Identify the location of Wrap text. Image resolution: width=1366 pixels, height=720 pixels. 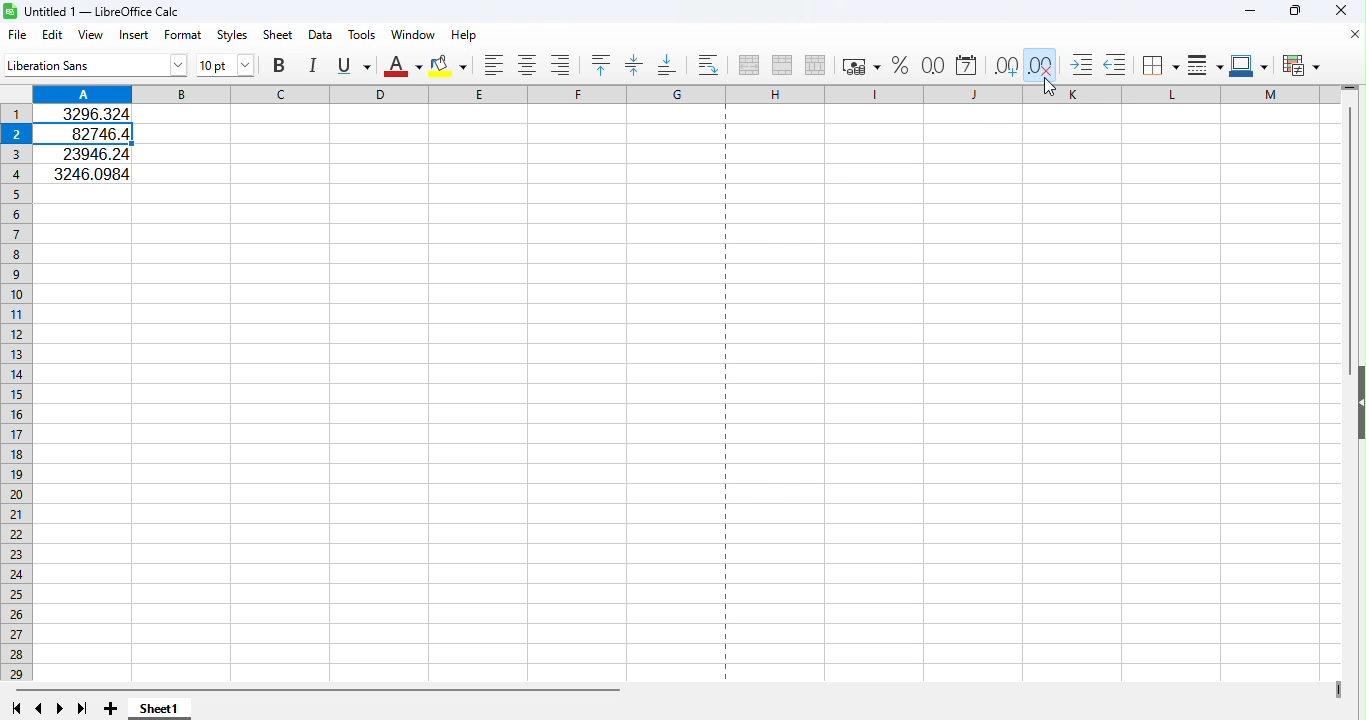
(710, 62).